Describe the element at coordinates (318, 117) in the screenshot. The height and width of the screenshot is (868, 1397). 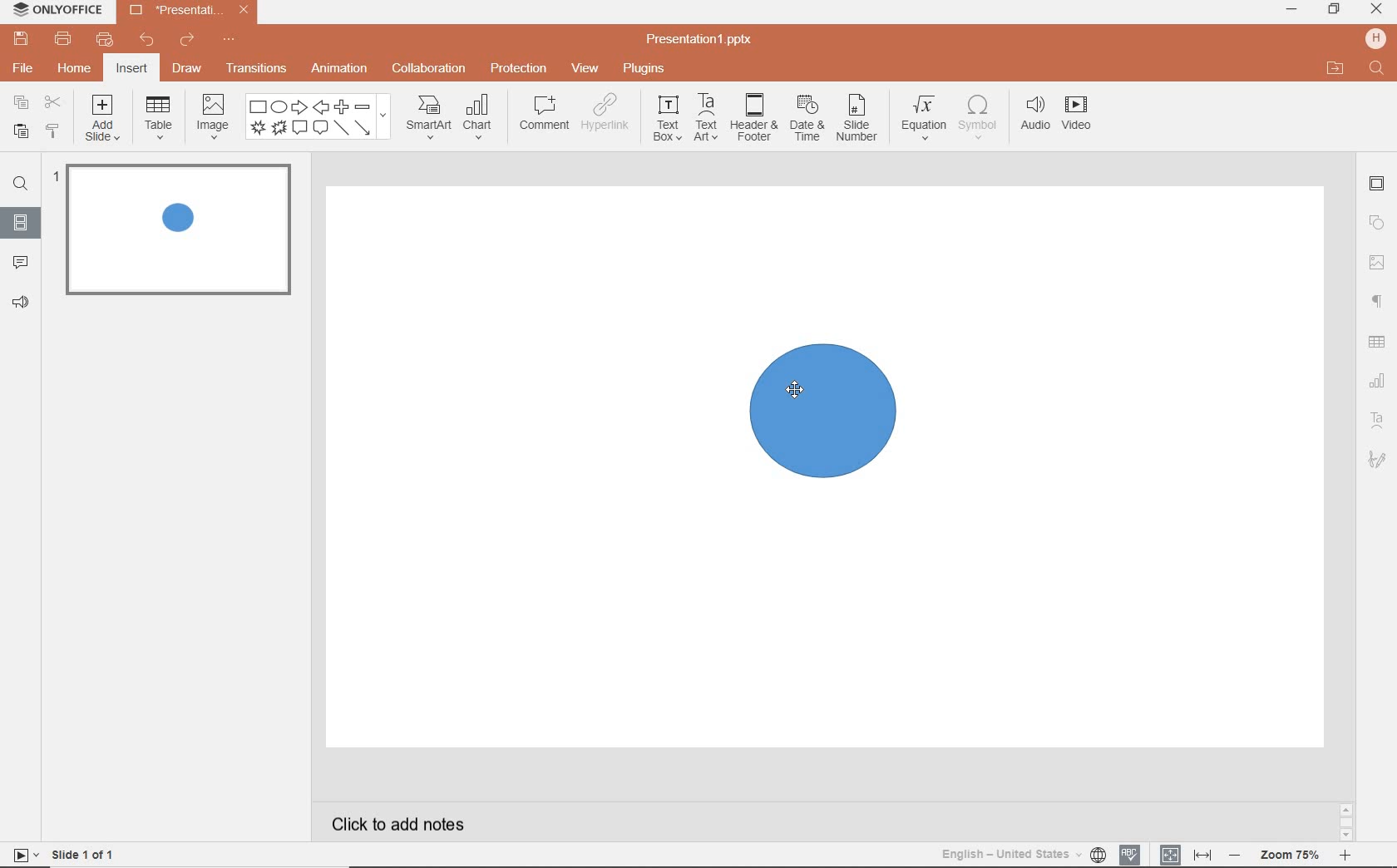
I see `shapes` at that location.